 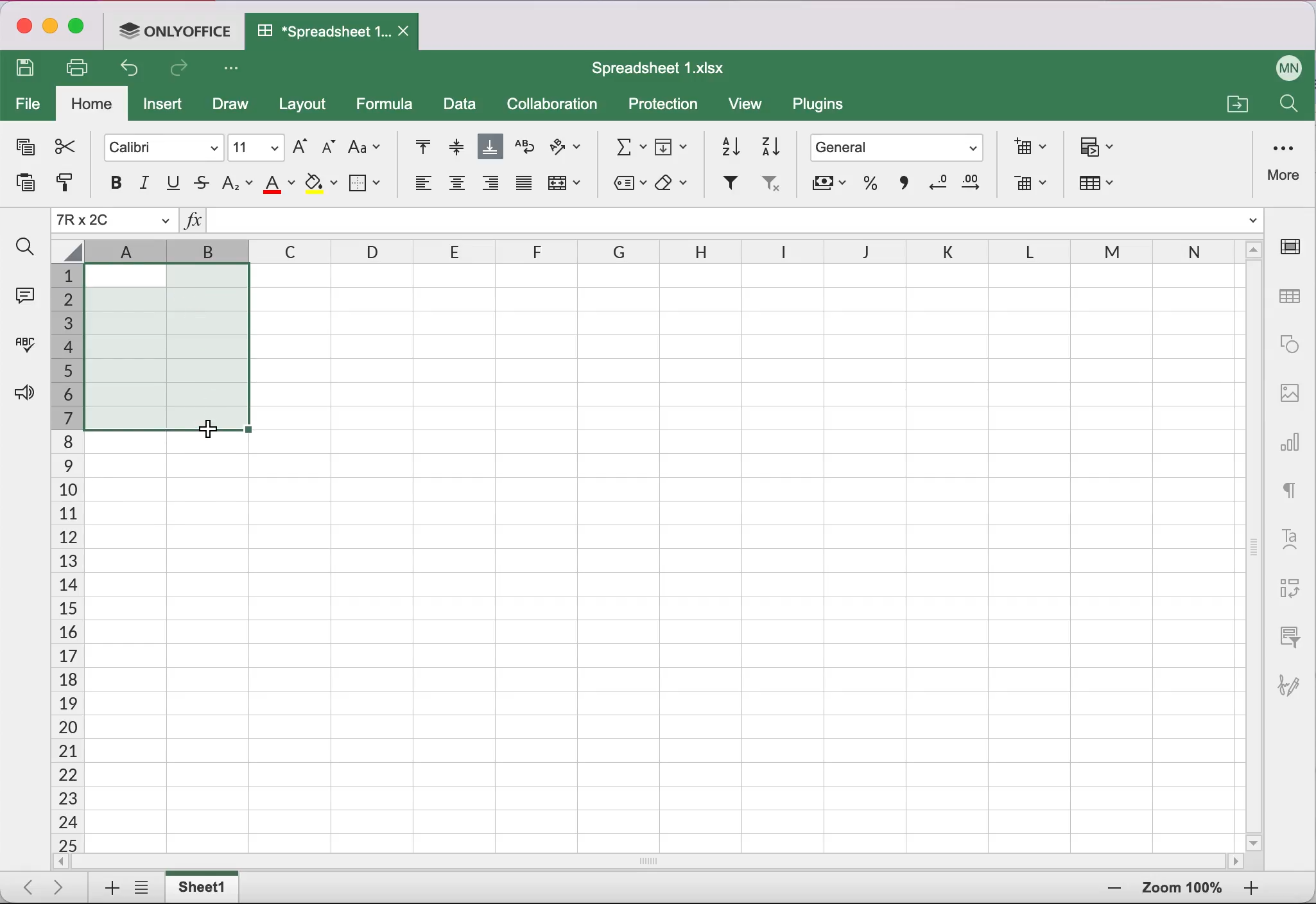 What do you see at coordinates (1295, 679) in the screenshot?
I see `signature` at bounding box center [1295, 679].